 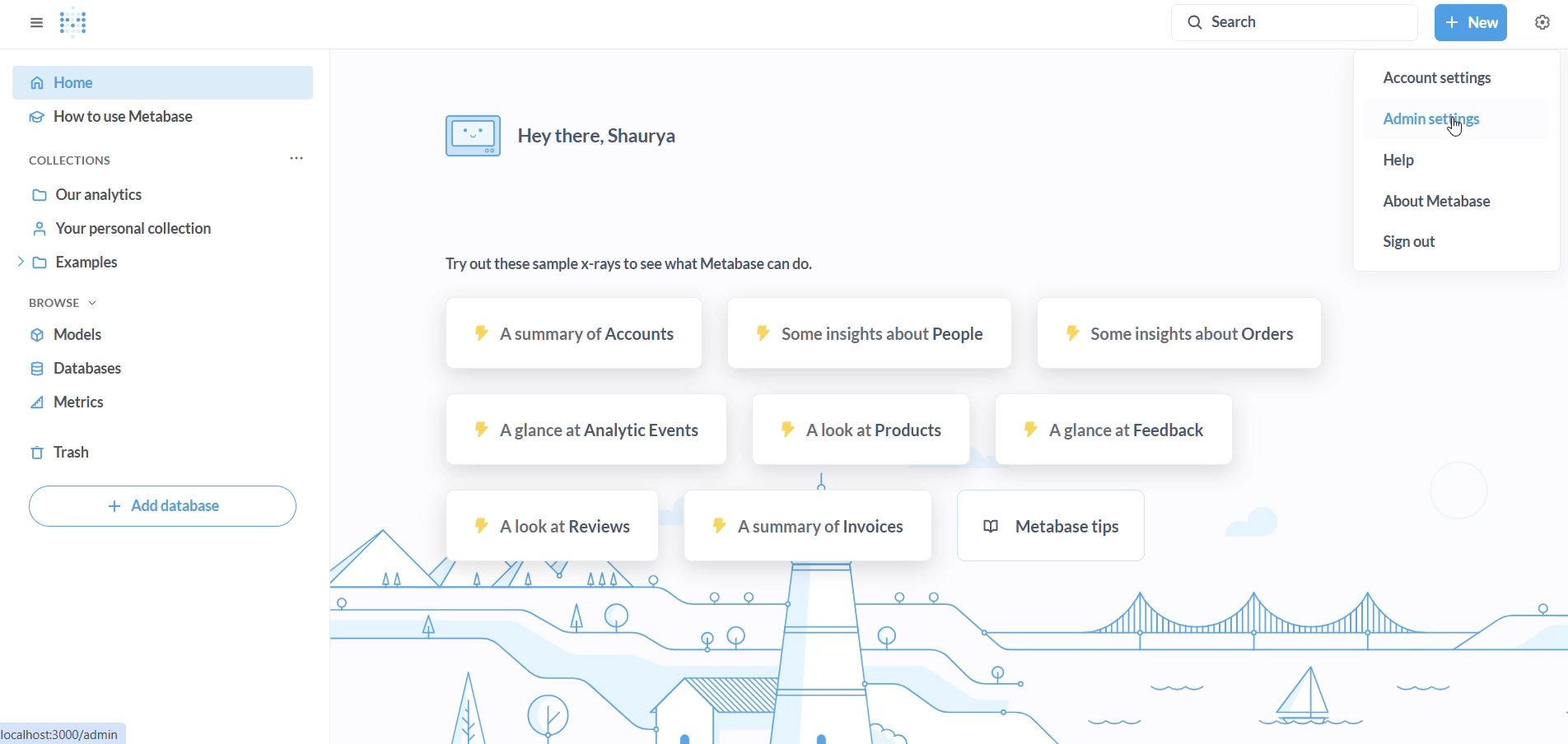 What do you see at coordinates (555, 526) in the screenshot?
I see `¥ Alook at Reviews` at bounding box center [555, 526].